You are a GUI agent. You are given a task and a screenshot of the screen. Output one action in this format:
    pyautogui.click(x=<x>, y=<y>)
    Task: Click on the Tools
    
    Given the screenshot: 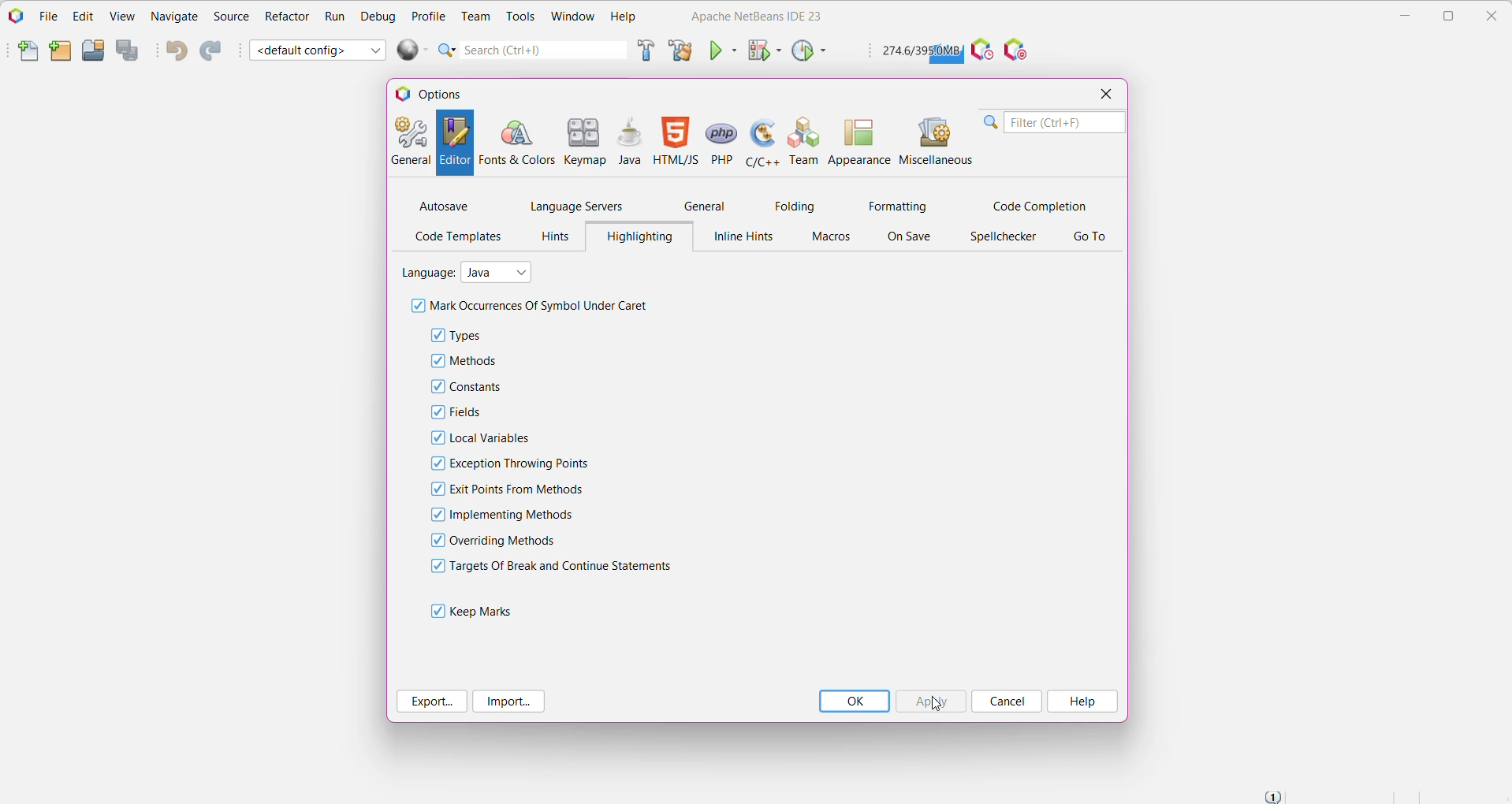 What is the action you would take?
    pyautogui.click(x=520, y=17)
    